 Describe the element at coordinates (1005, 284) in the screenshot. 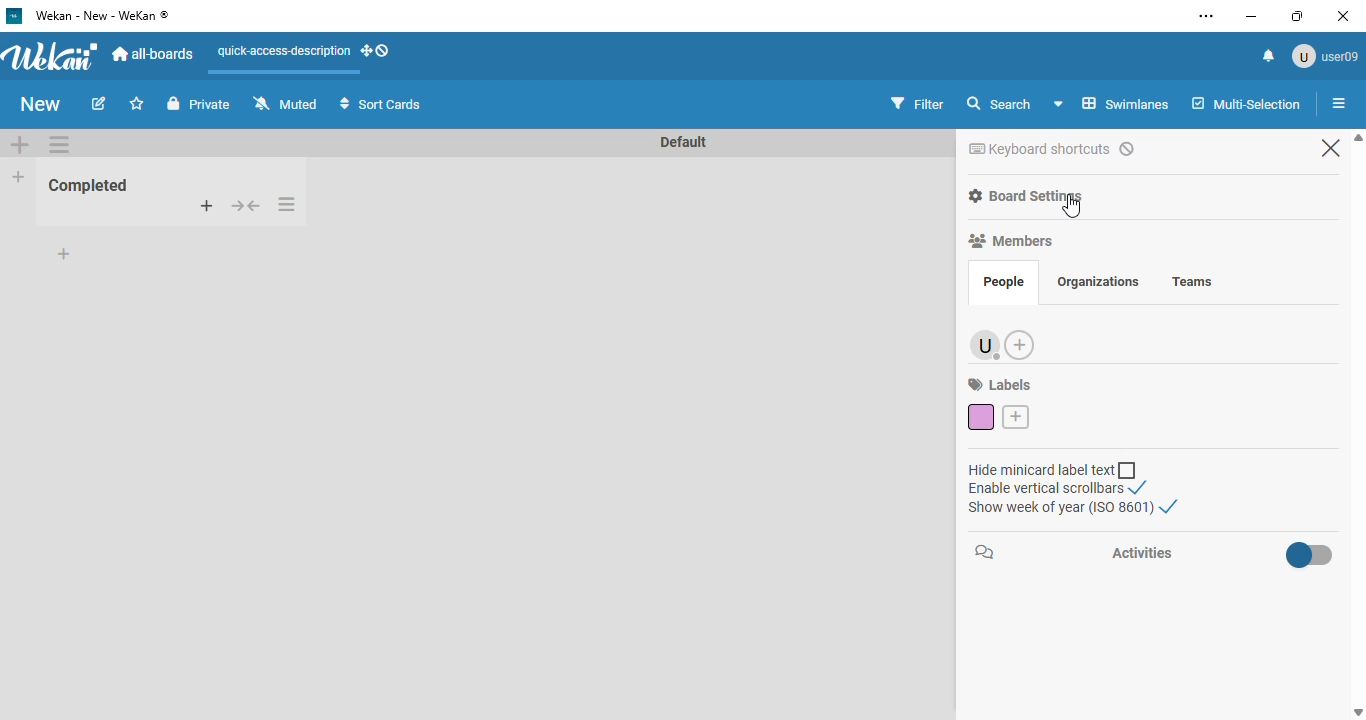

I see `people` at that location.